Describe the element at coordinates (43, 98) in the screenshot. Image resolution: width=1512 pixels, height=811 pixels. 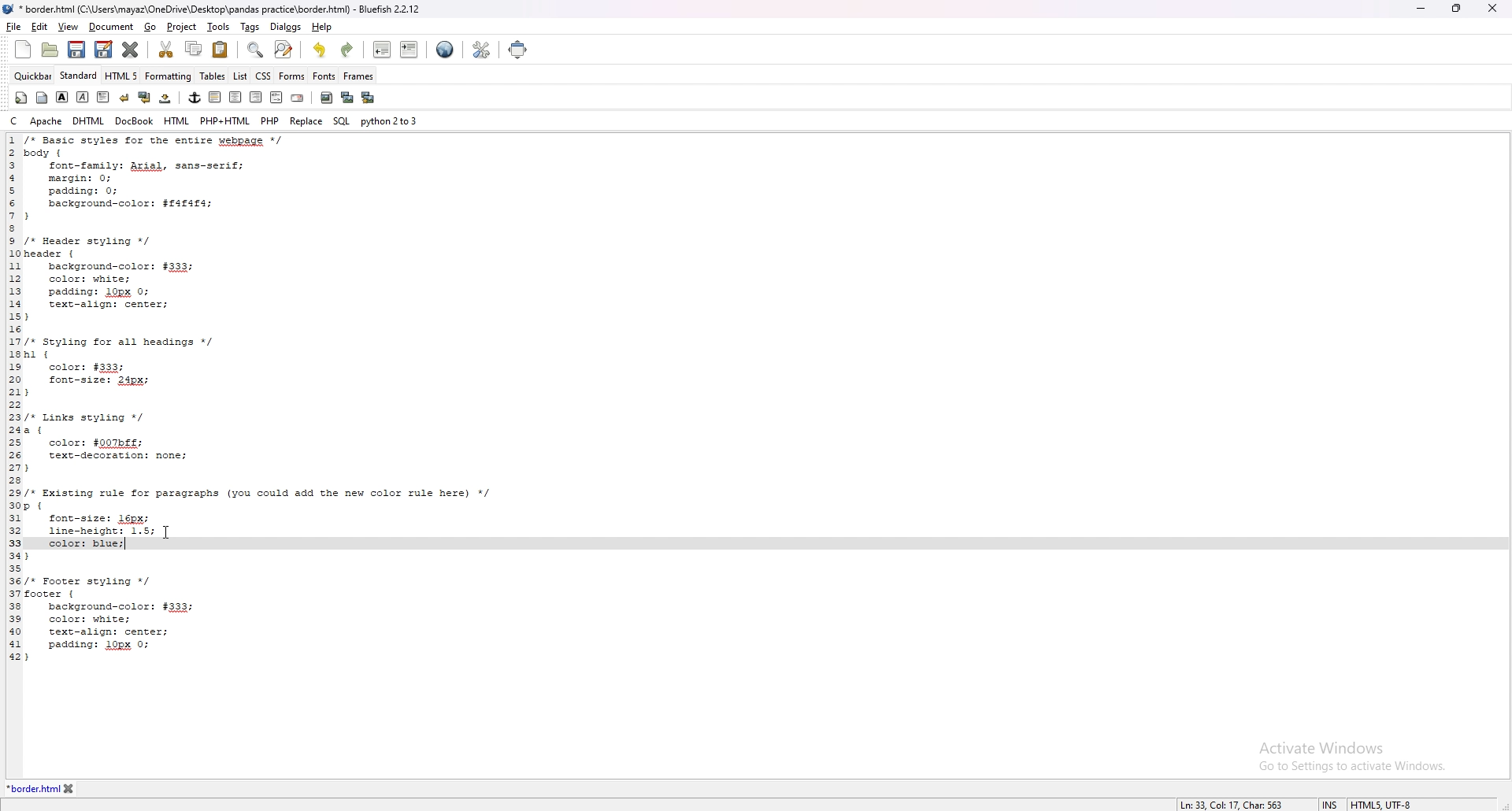
I see `body` at that location.